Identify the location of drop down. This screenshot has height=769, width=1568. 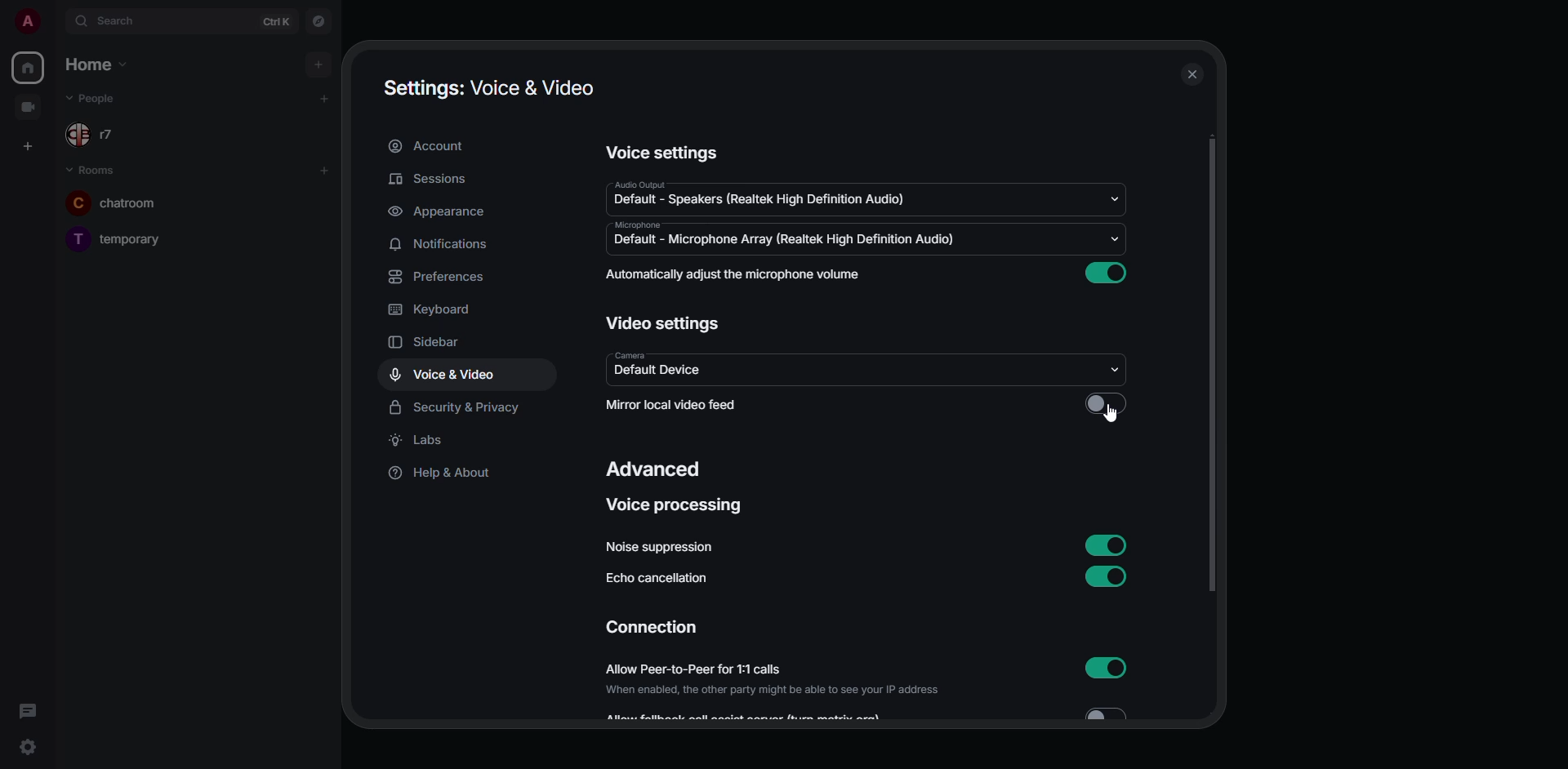
(1118, 366).